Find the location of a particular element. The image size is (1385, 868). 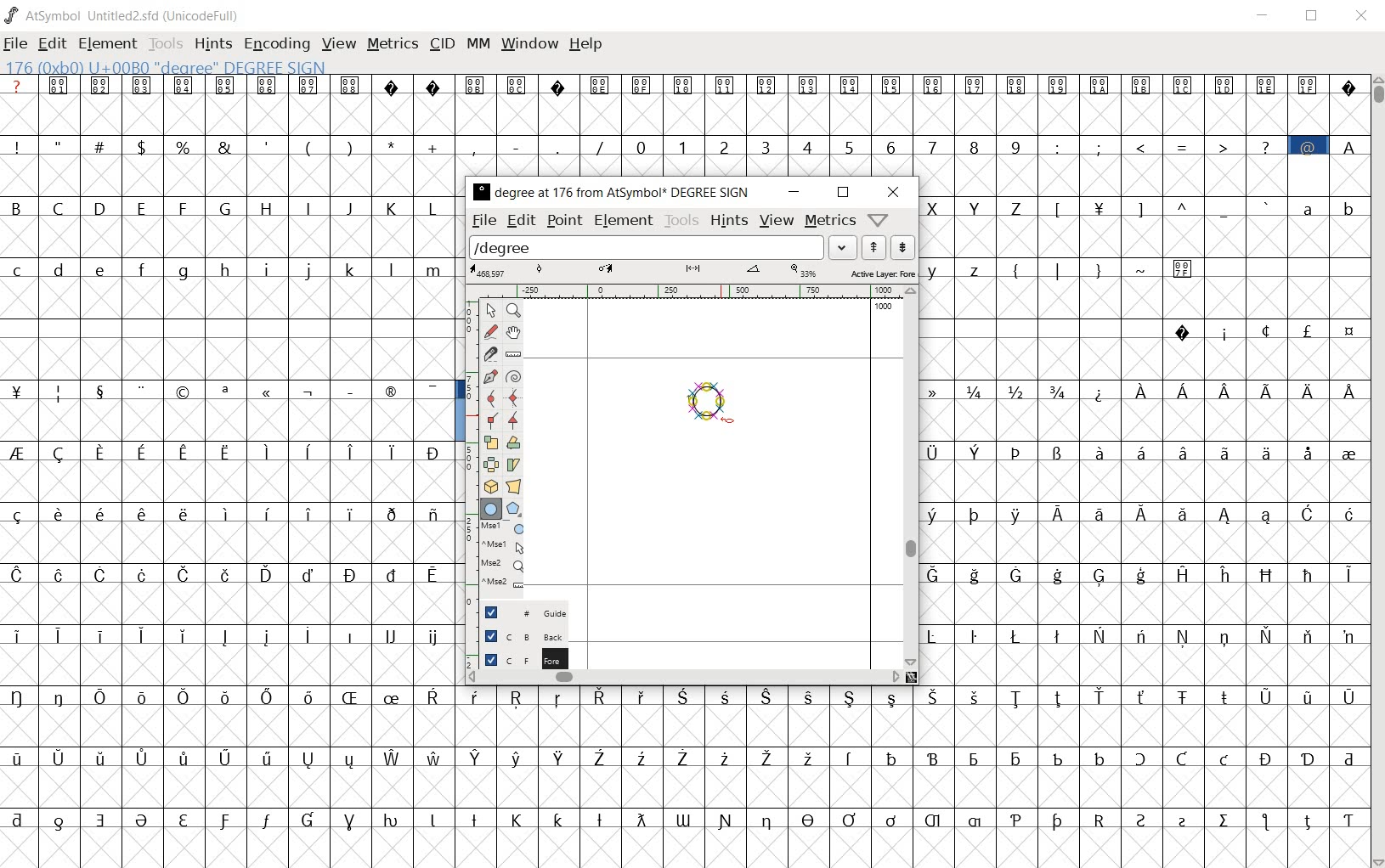

special characters is located at coordinates (1164, 207).